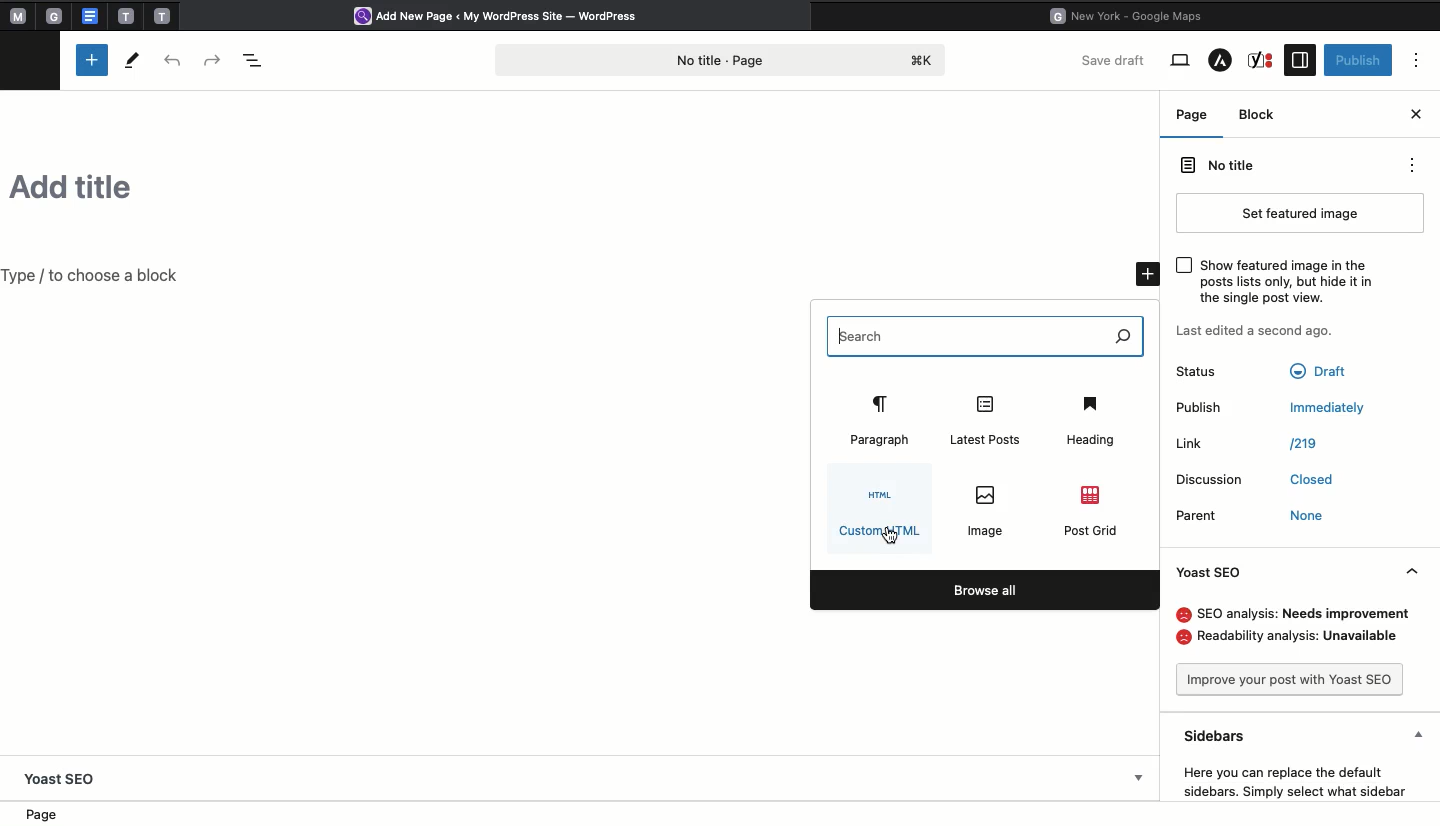  Describe the element at coordinates (880, 513) in the screenshot. I see `Custom HTML` at that location.